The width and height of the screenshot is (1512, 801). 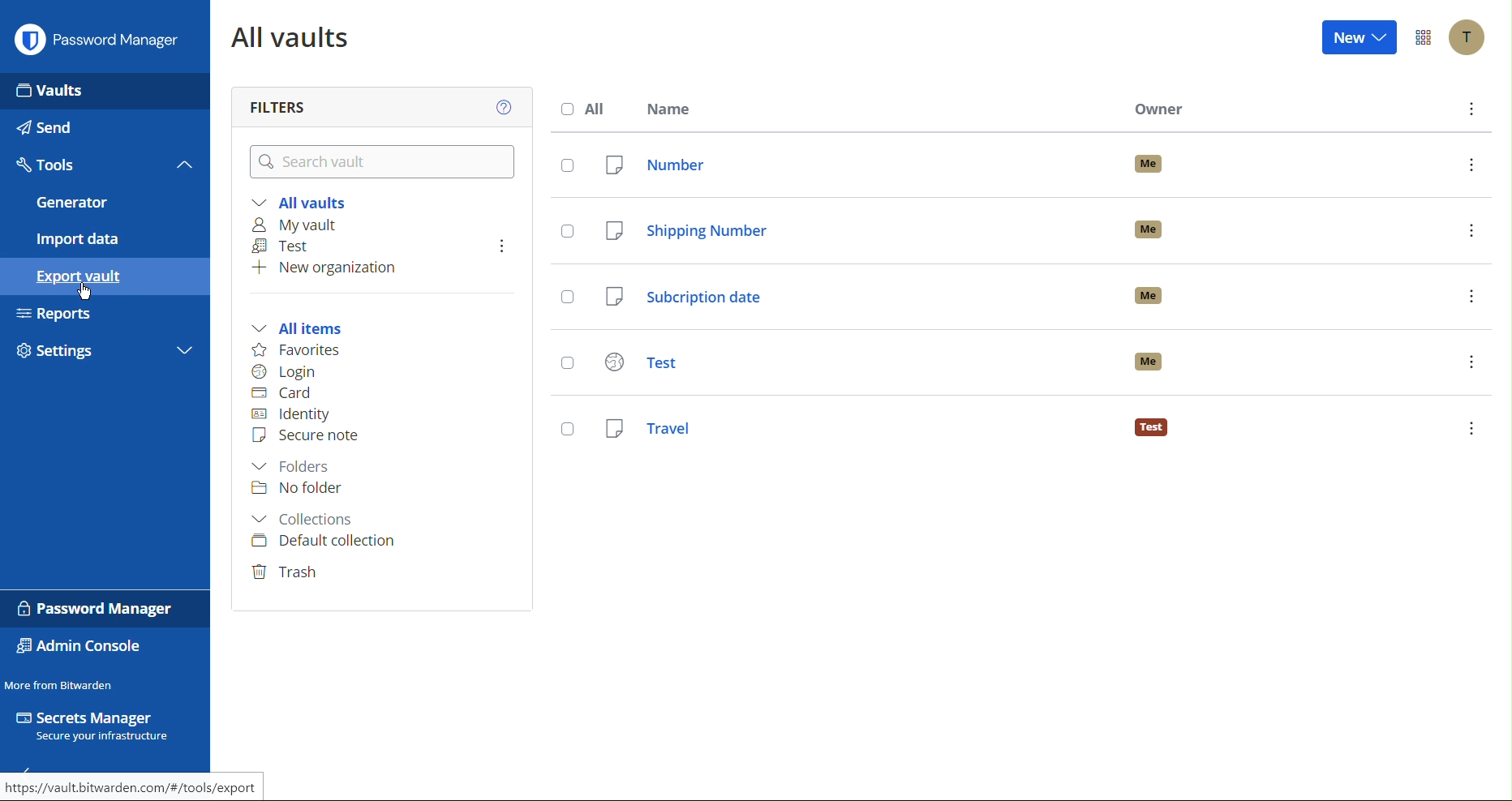 I want to click on Default collection, so click(x=324, y=543).